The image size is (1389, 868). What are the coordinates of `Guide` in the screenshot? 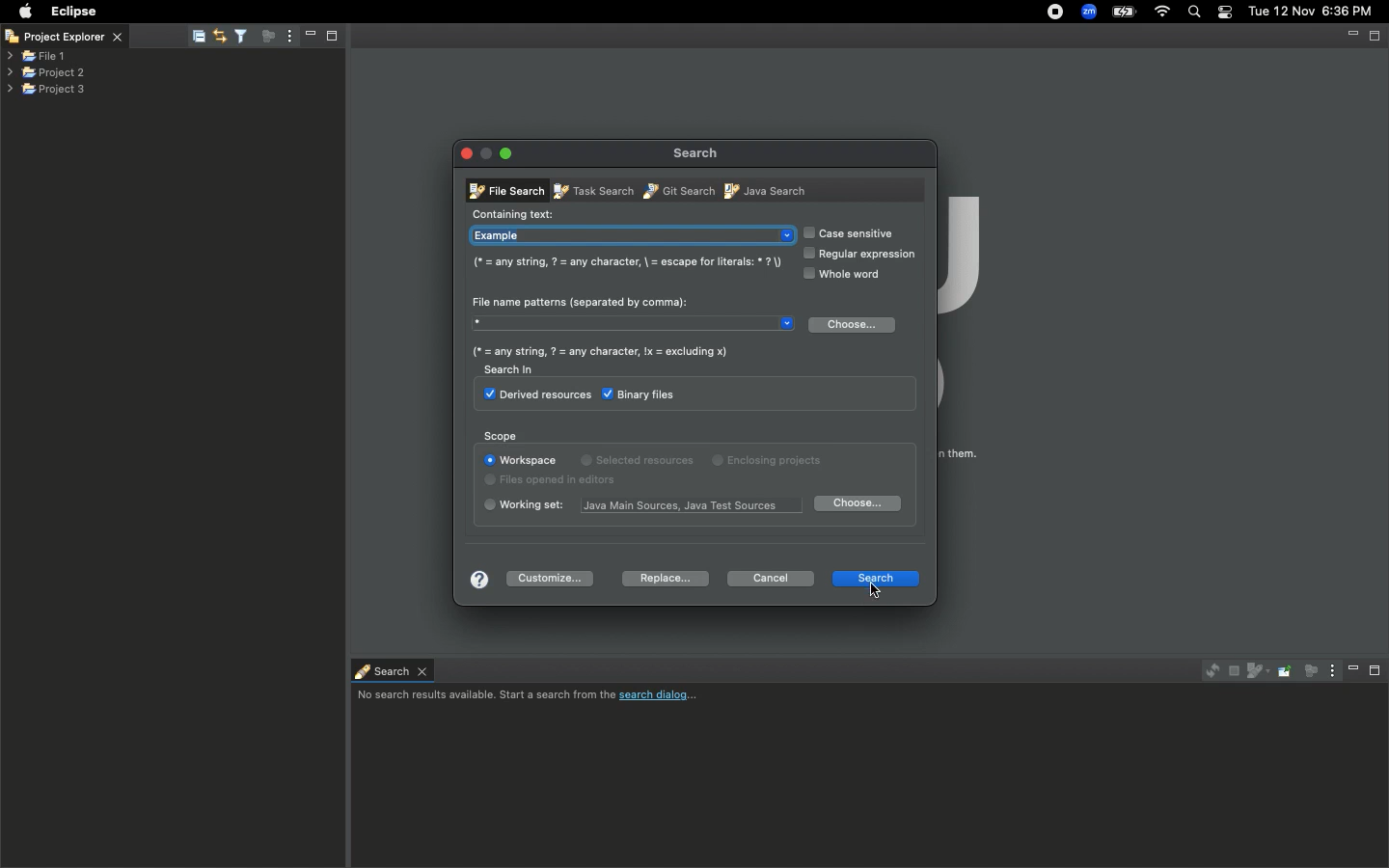 It's located at (626, 261).